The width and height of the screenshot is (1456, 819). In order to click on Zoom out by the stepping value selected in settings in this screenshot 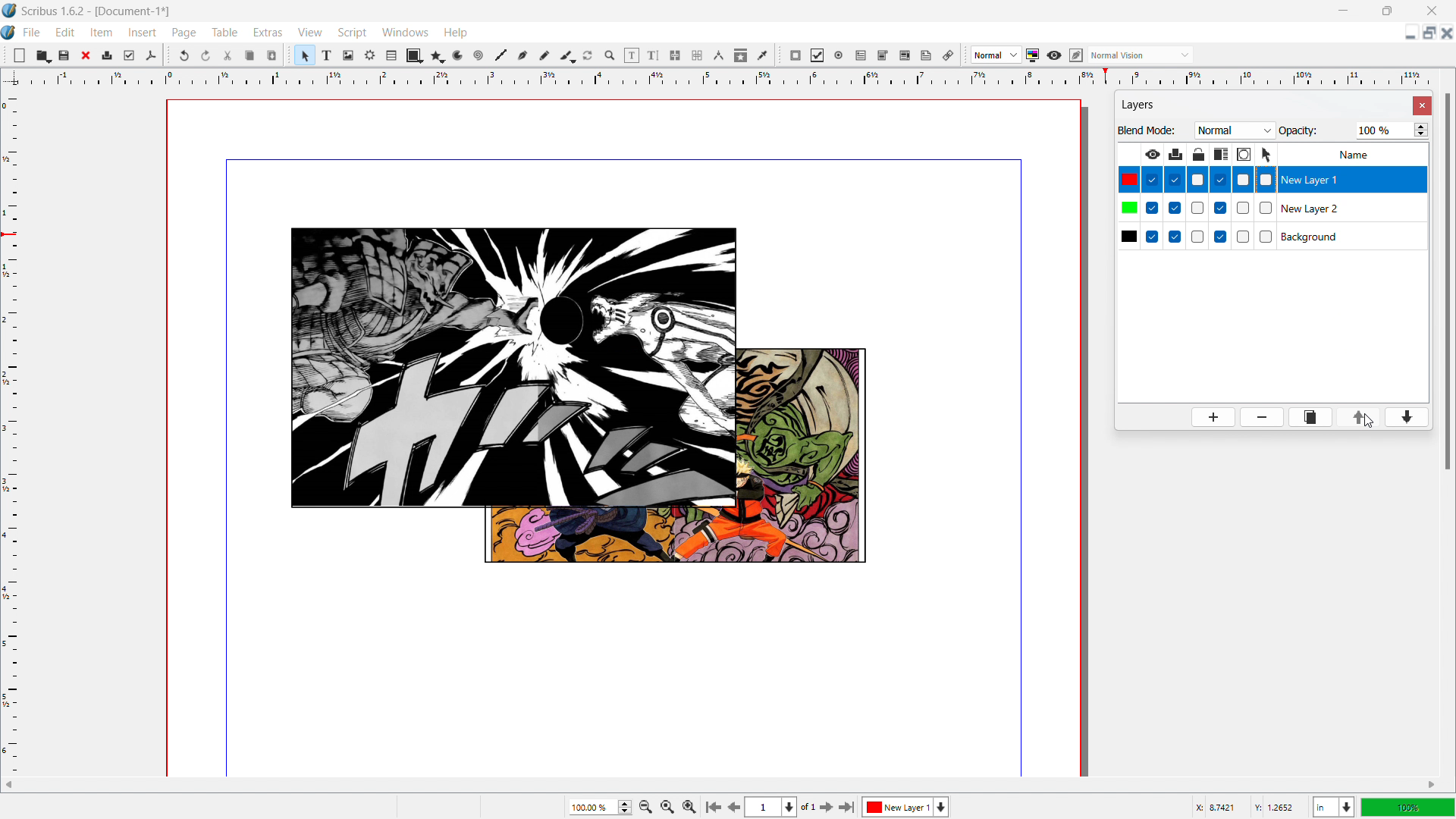, I will do `click(689, 805)`.